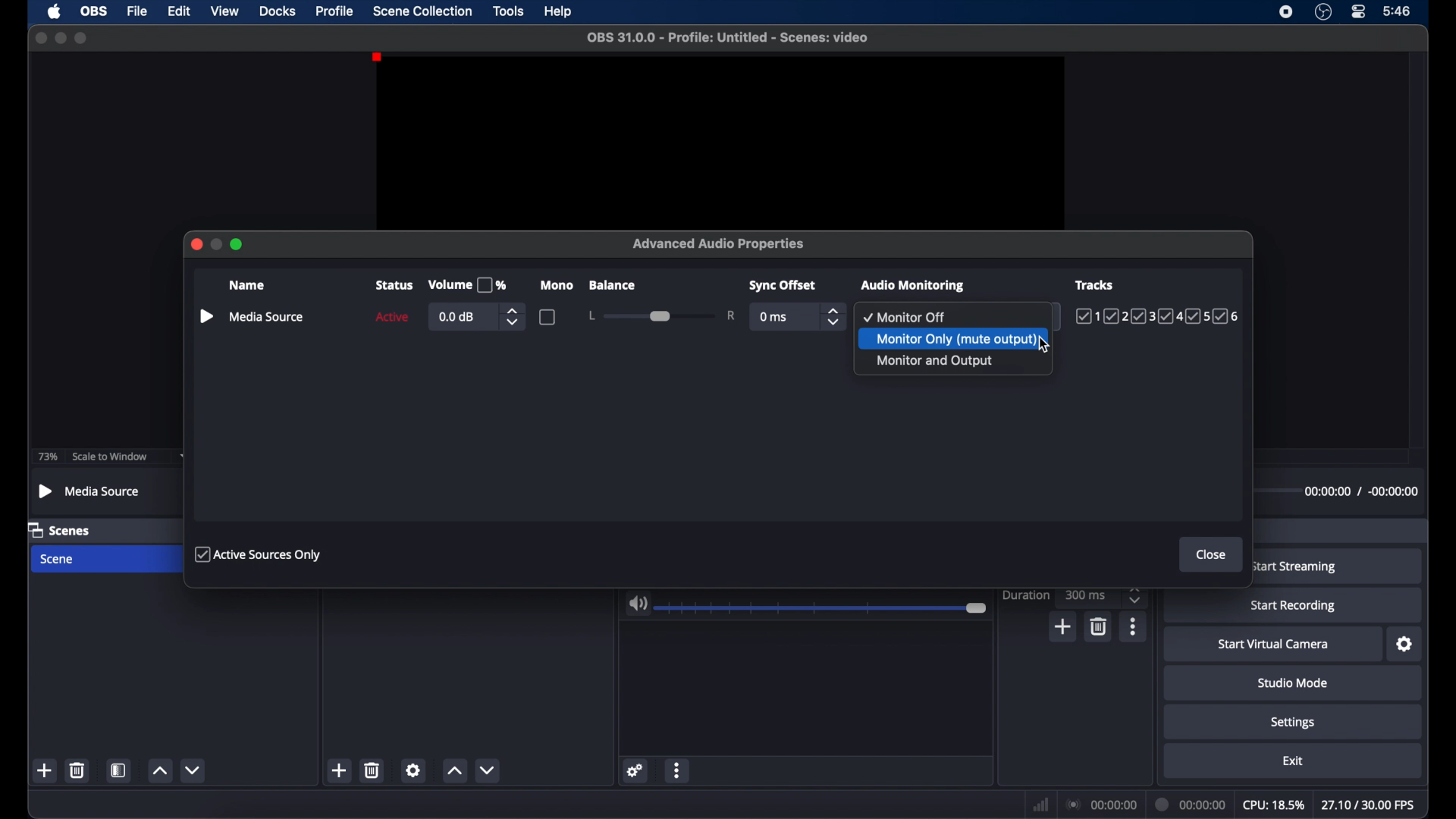 The width and height of the screenshot is (1456, 819). Describe the element at coordinates (458, 317) in the screenshot. I see `0.0 db` at that location.